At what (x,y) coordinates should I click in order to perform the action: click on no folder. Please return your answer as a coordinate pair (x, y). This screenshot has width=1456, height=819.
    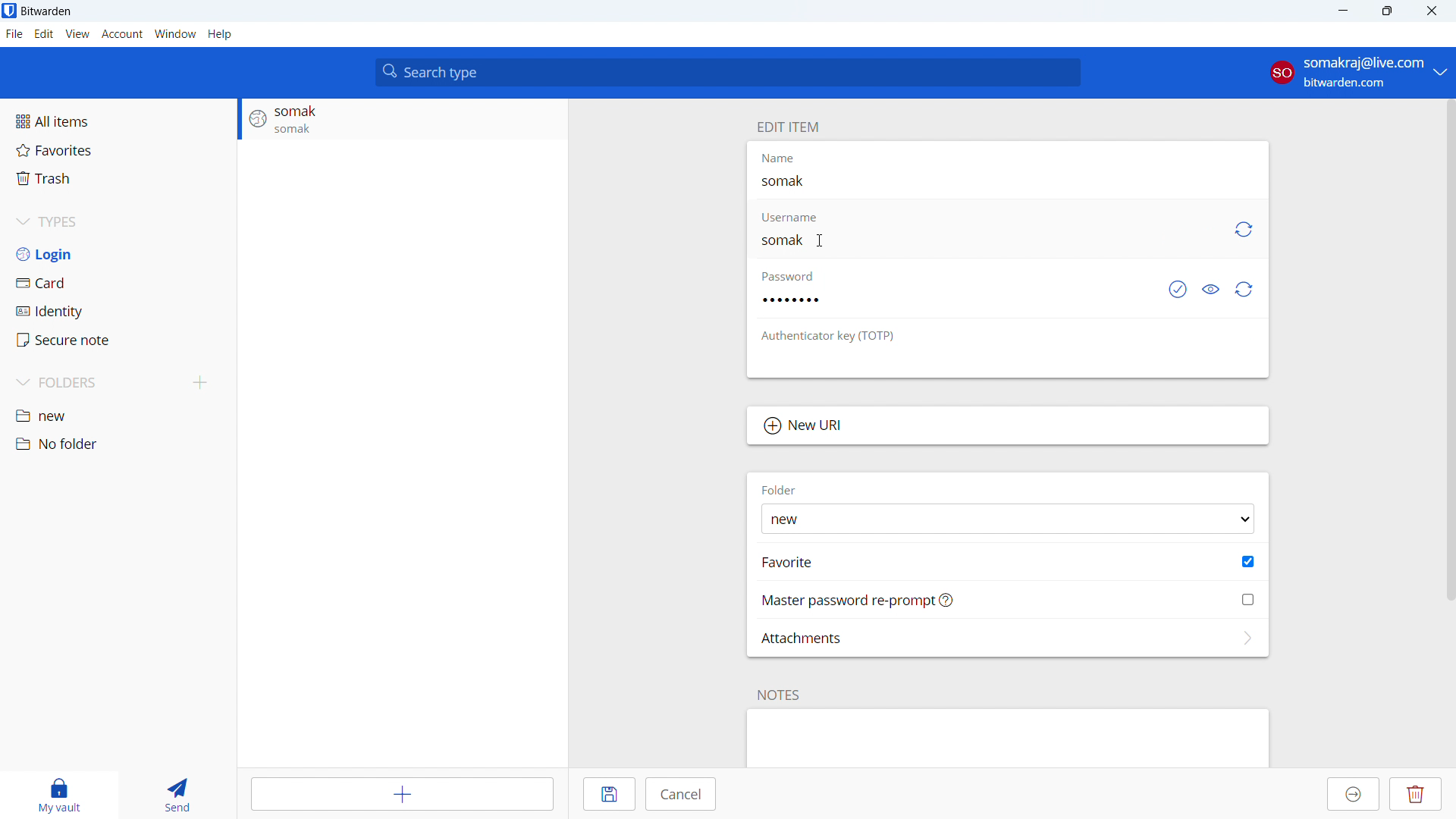
    Looking at the image, I should click on (118, 444).